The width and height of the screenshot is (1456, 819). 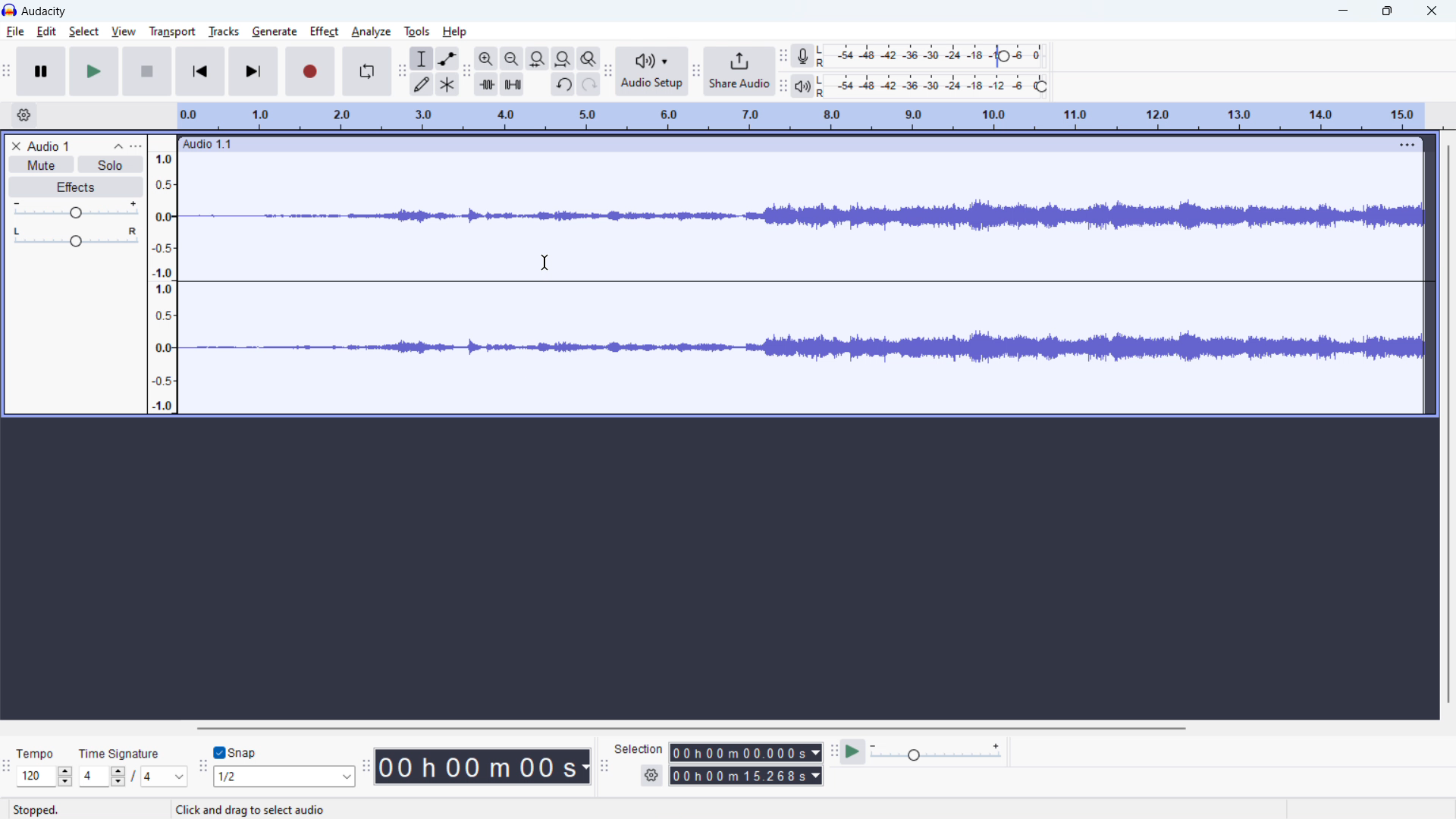 I want to click on set tempo, so click(x=44, y=765).